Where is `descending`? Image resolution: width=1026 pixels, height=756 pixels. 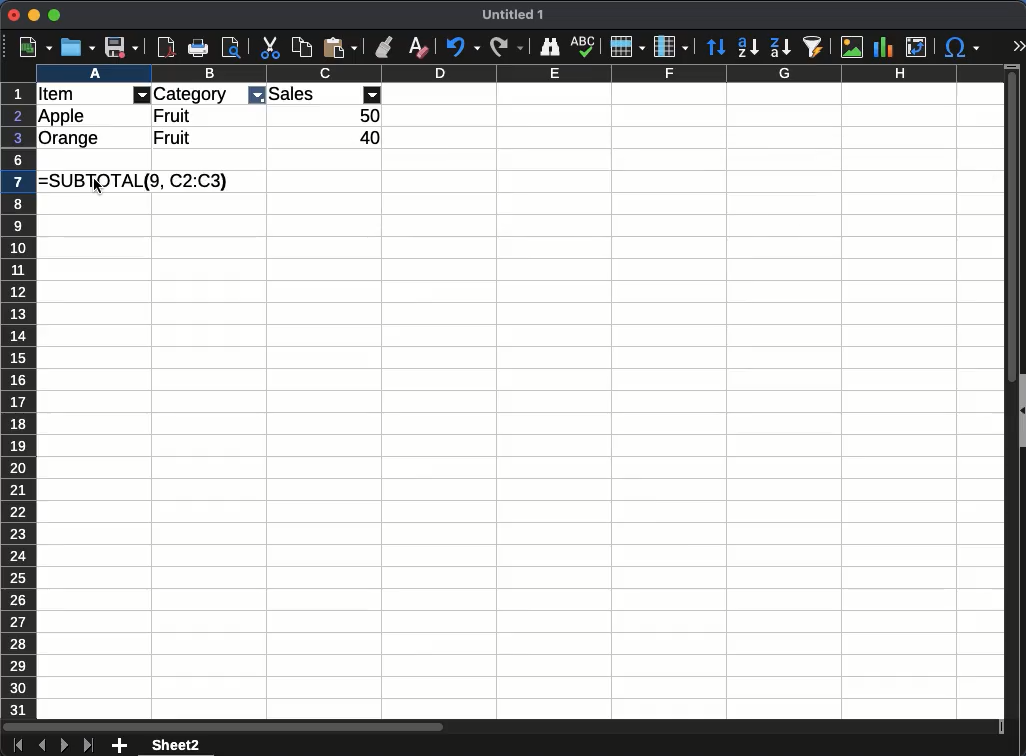
descending is located at coordinates (747, 48).